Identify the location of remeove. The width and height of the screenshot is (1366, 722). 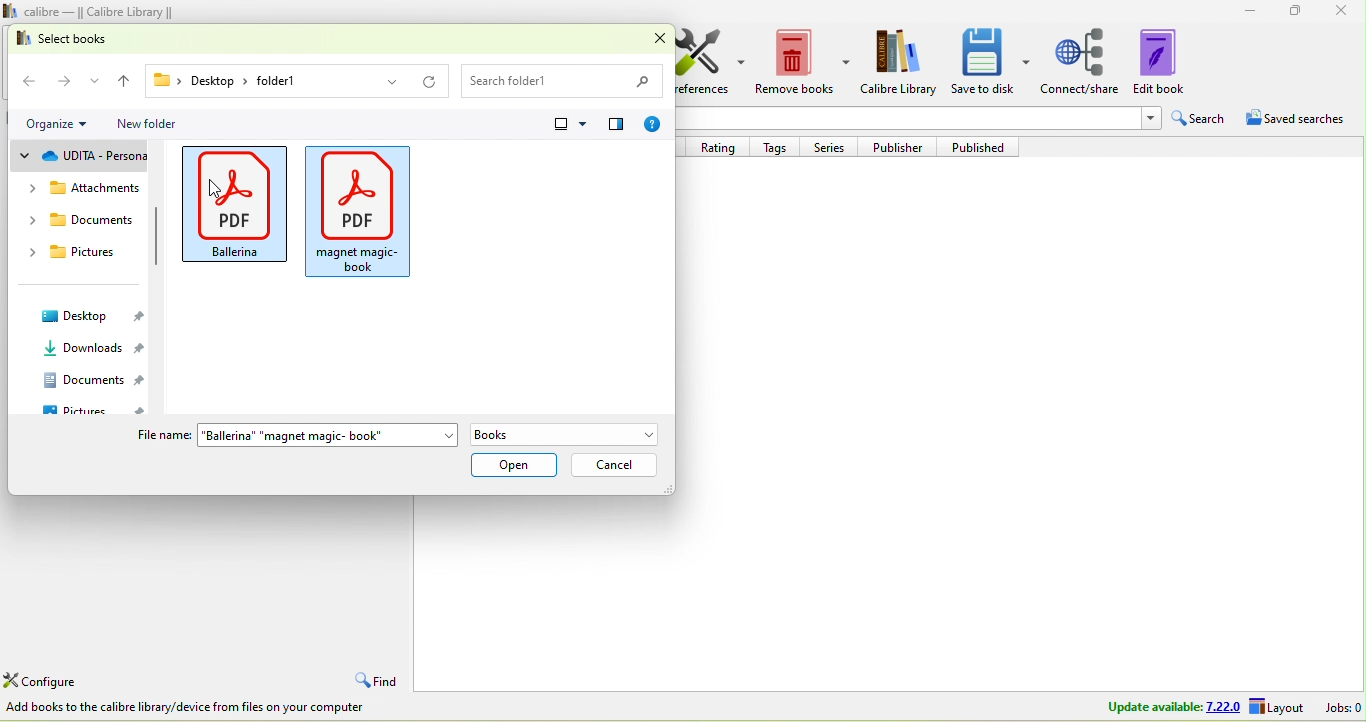
(802, 63).